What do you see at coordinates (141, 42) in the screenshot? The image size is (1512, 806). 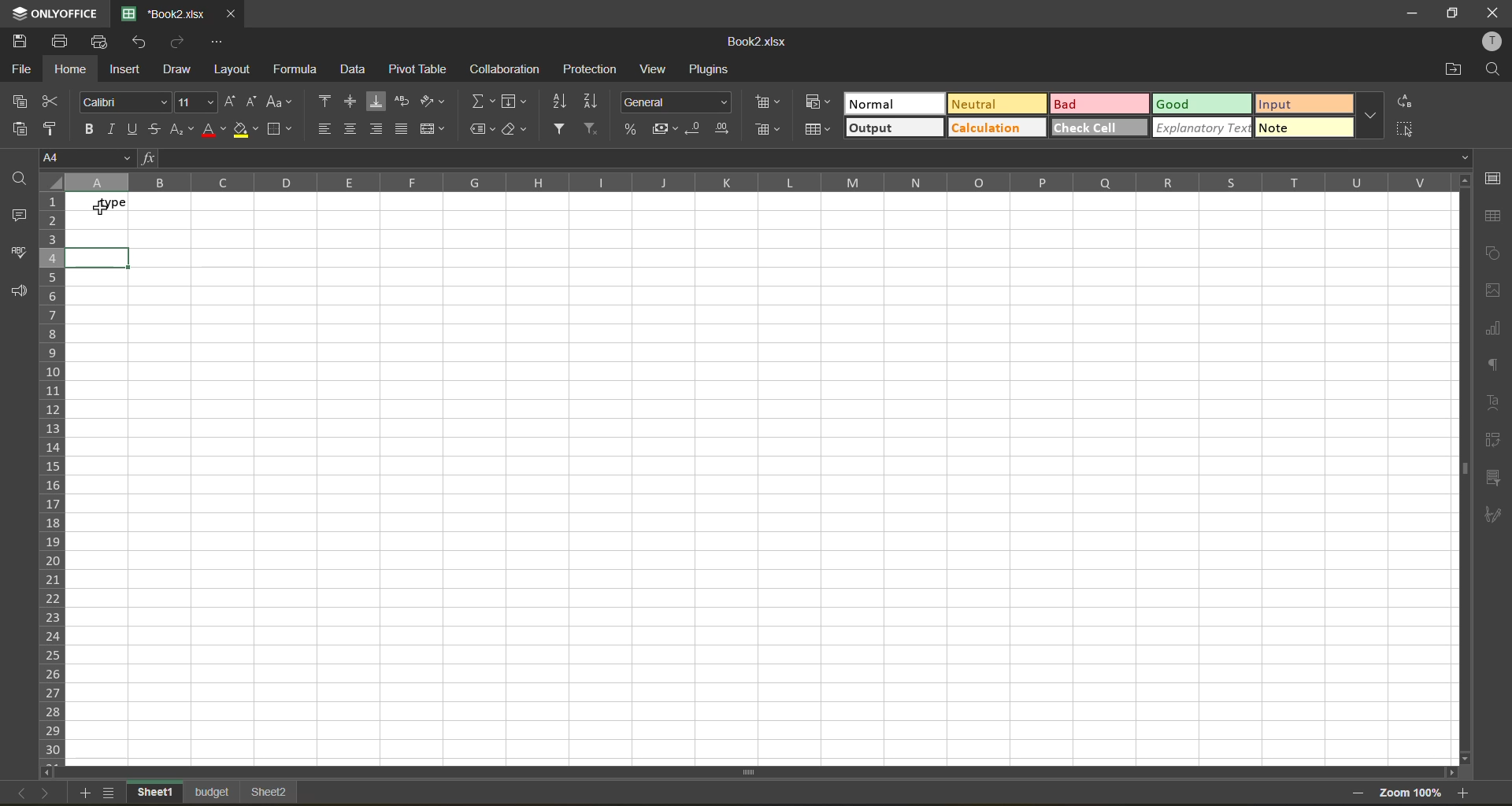 I see `undo` at bounding box center [141, 42].